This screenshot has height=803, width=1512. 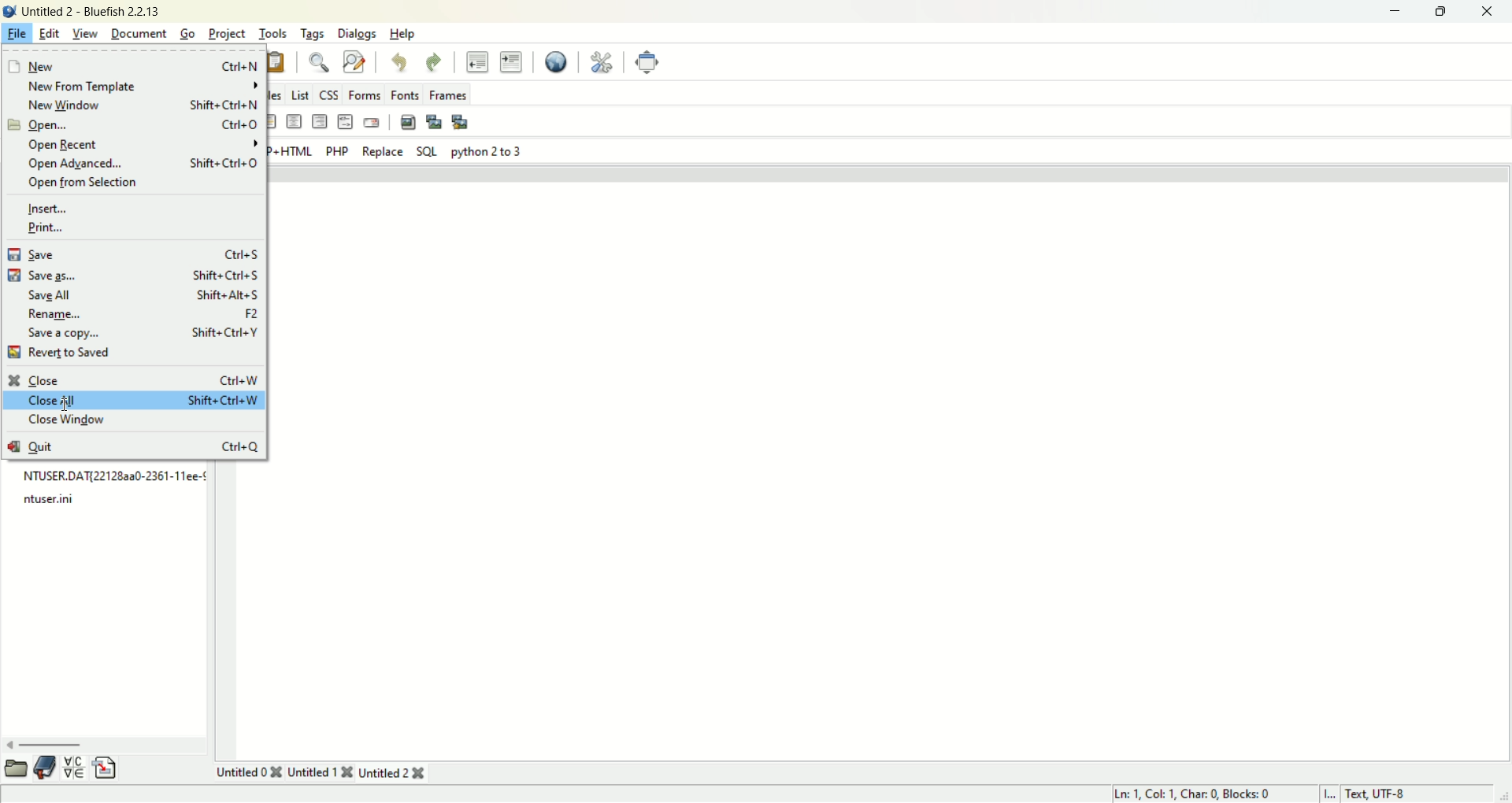 I want to click on untitle1, so click(x=319, y=772).